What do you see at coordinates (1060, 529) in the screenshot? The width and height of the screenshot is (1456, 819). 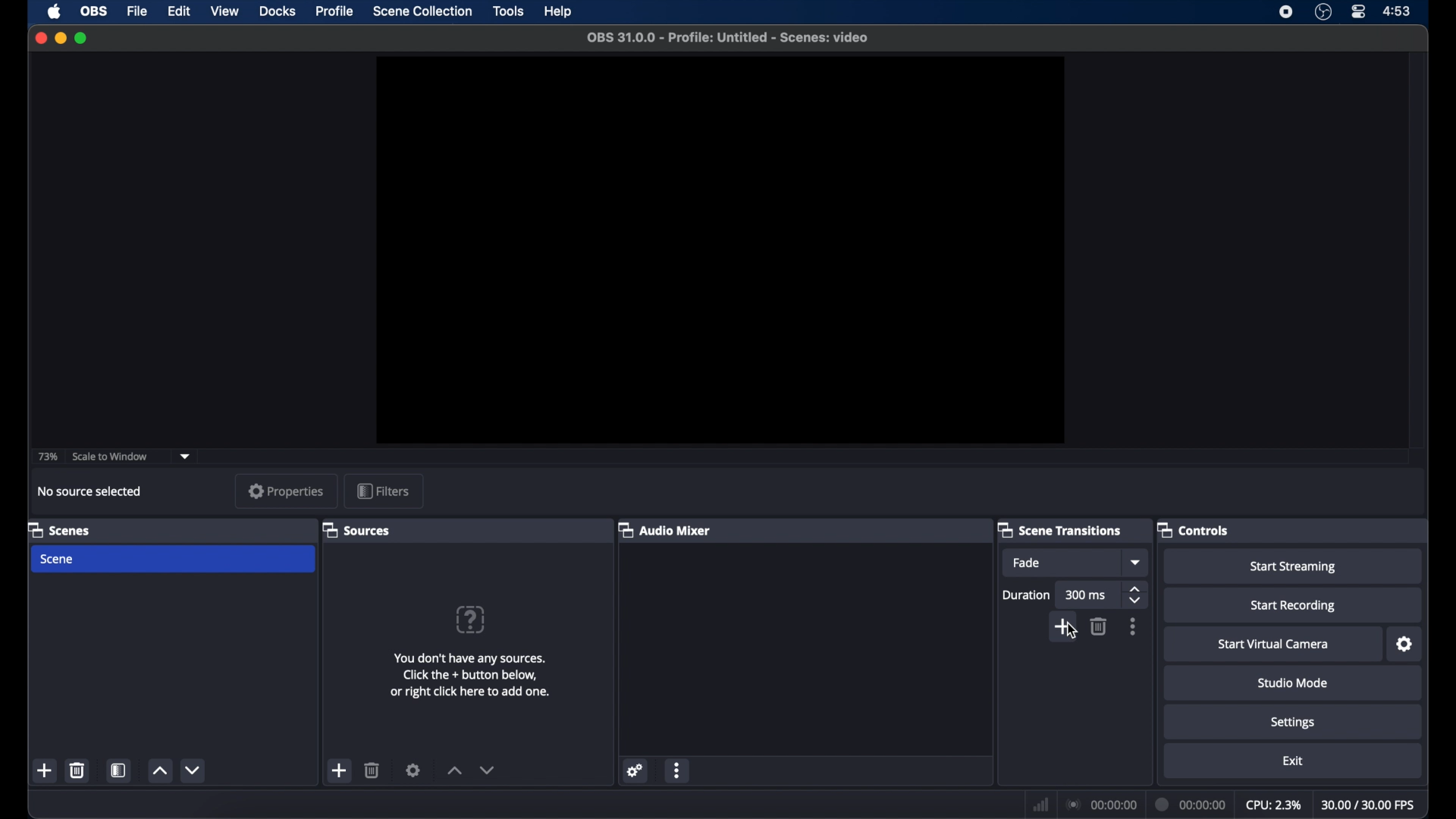 I see `scene transitions` at bounding box center [1060, 529].